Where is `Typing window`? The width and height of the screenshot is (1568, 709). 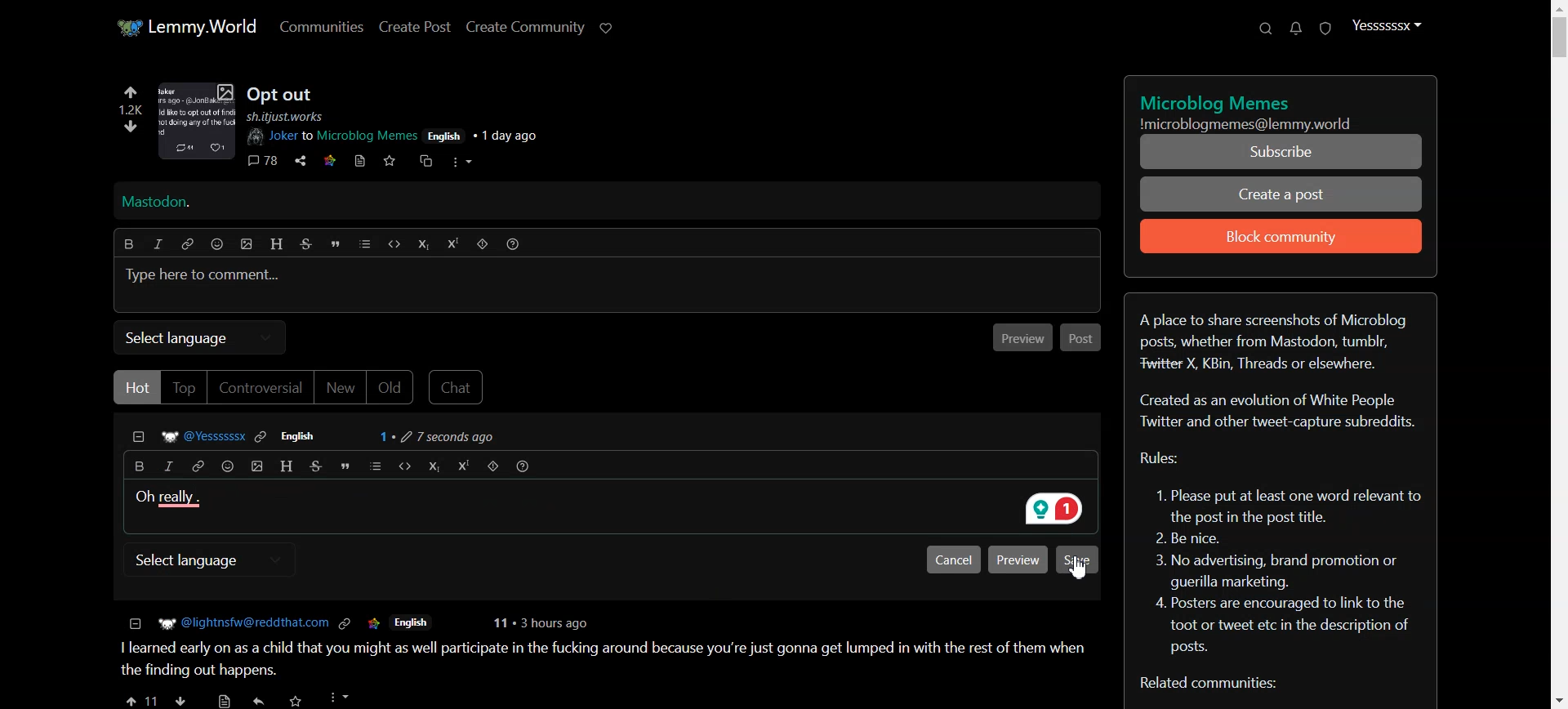
Typing window is located at coordinates (606, 286).